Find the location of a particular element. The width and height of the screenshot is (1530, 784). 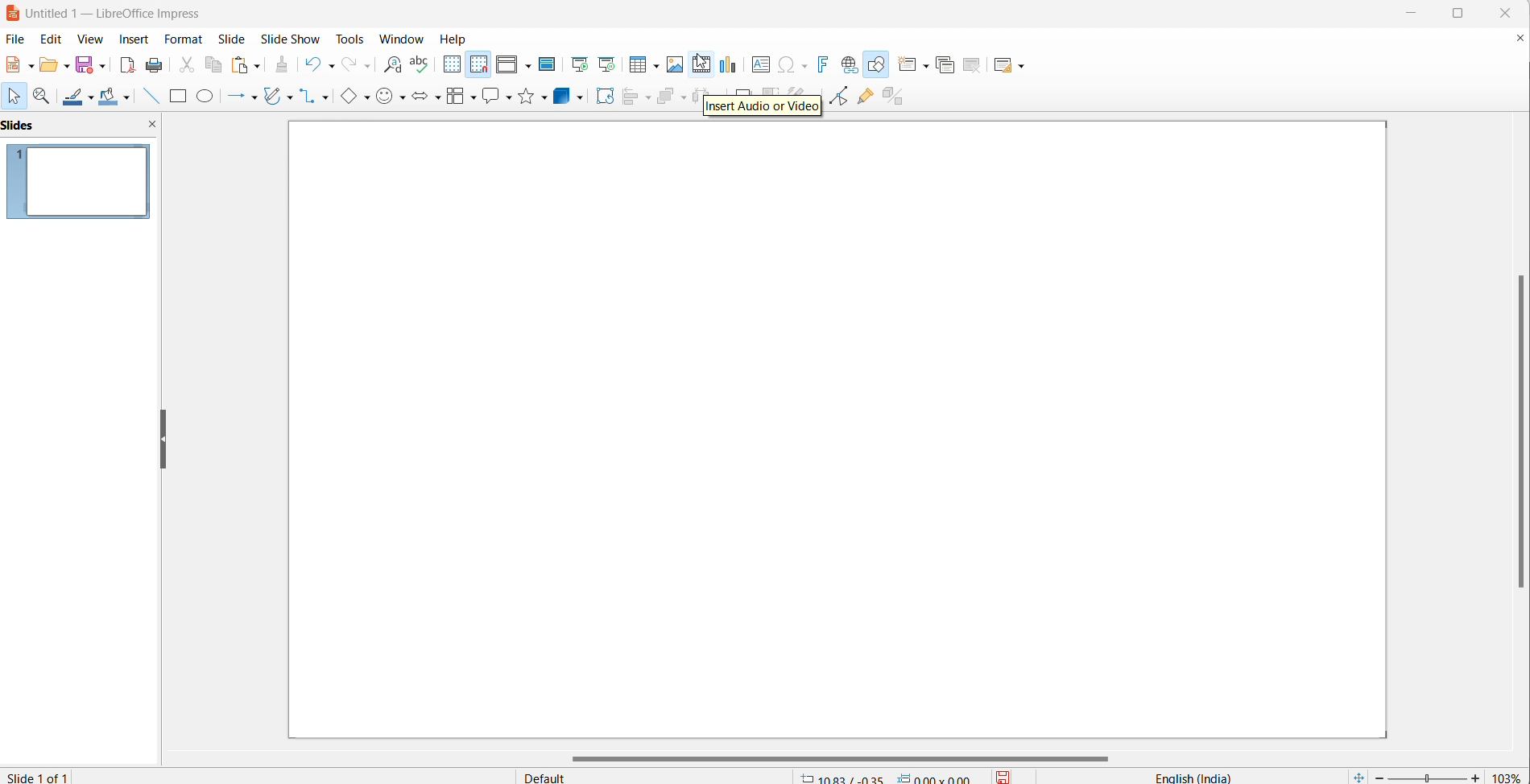

window is located at coordinates (396, 36).